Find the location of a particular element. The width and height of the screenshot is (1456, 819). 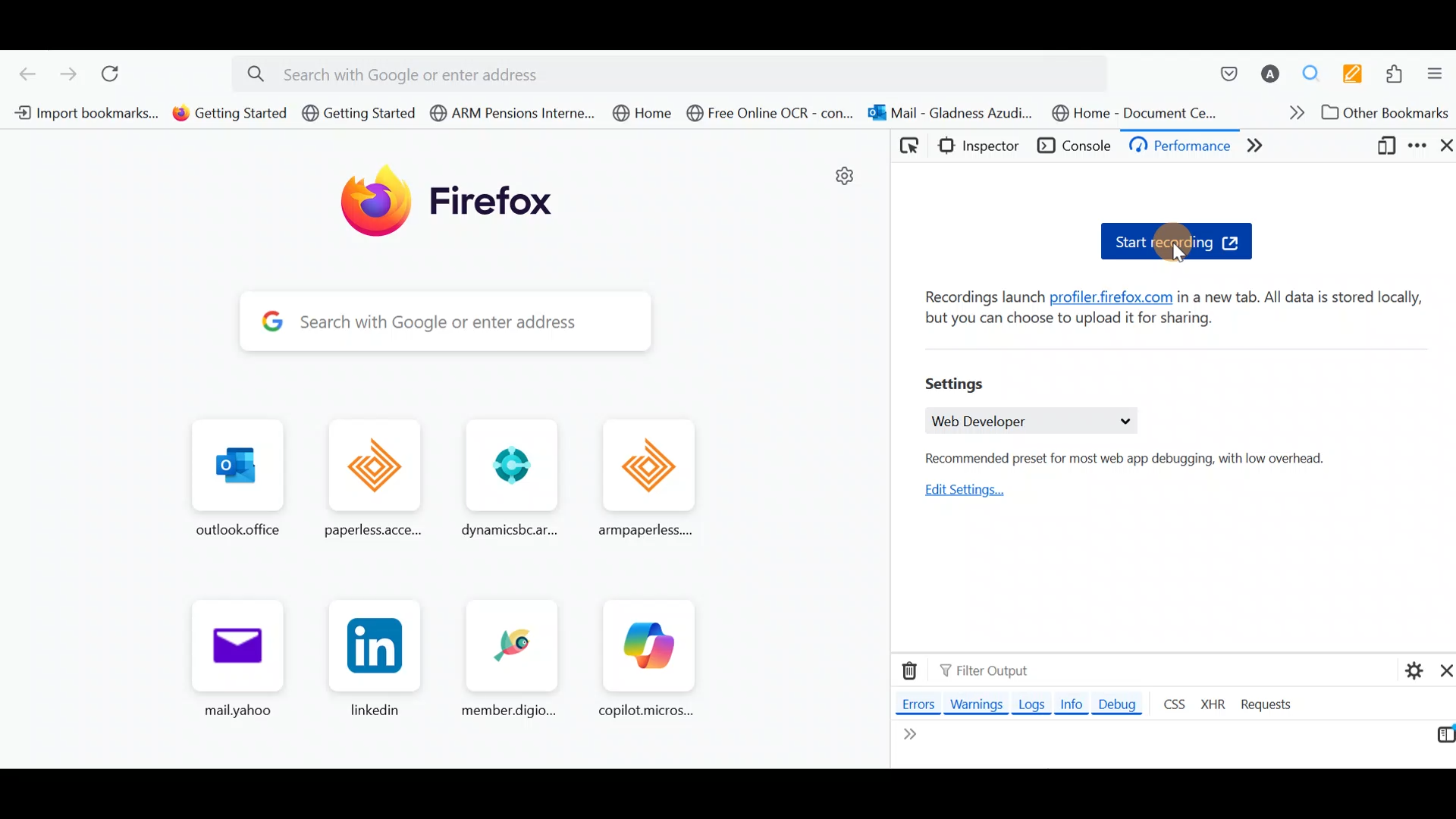

XHR is located at coordinates (1216, 703).